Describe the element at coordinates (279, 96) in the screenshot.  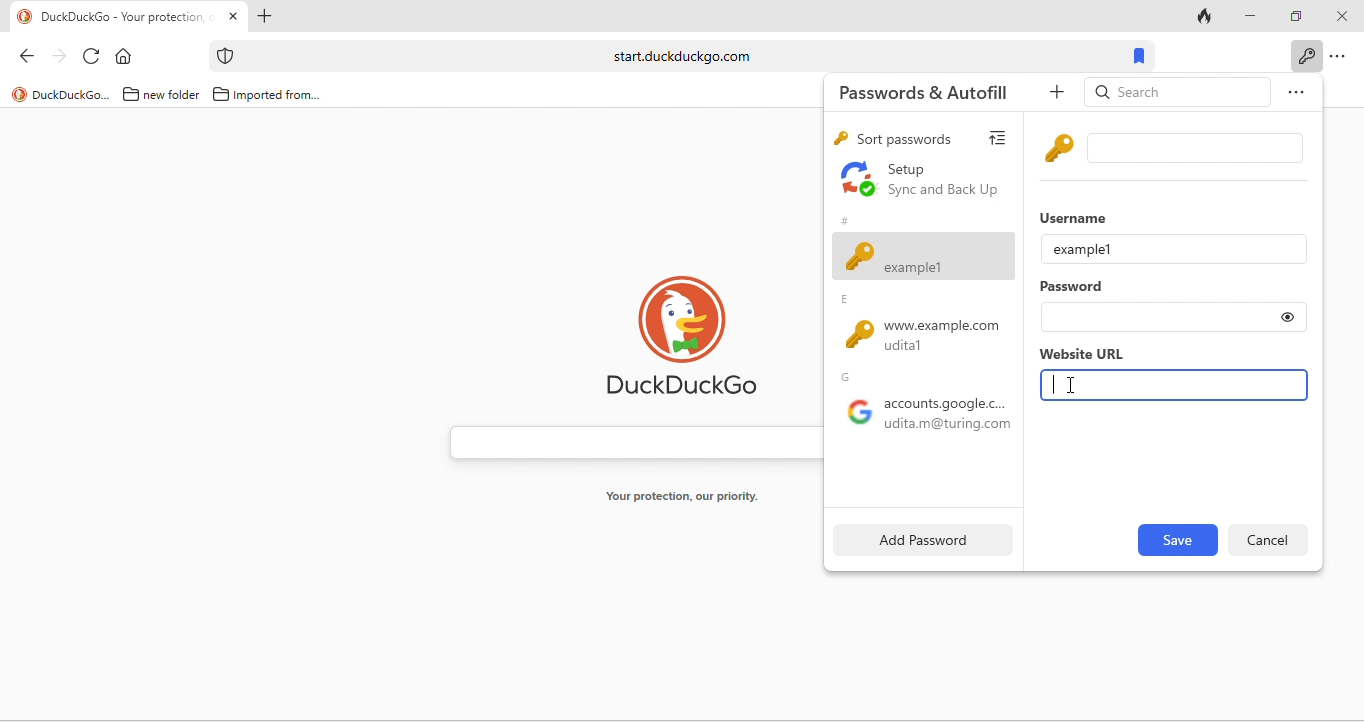
I see `imported from` at that location.